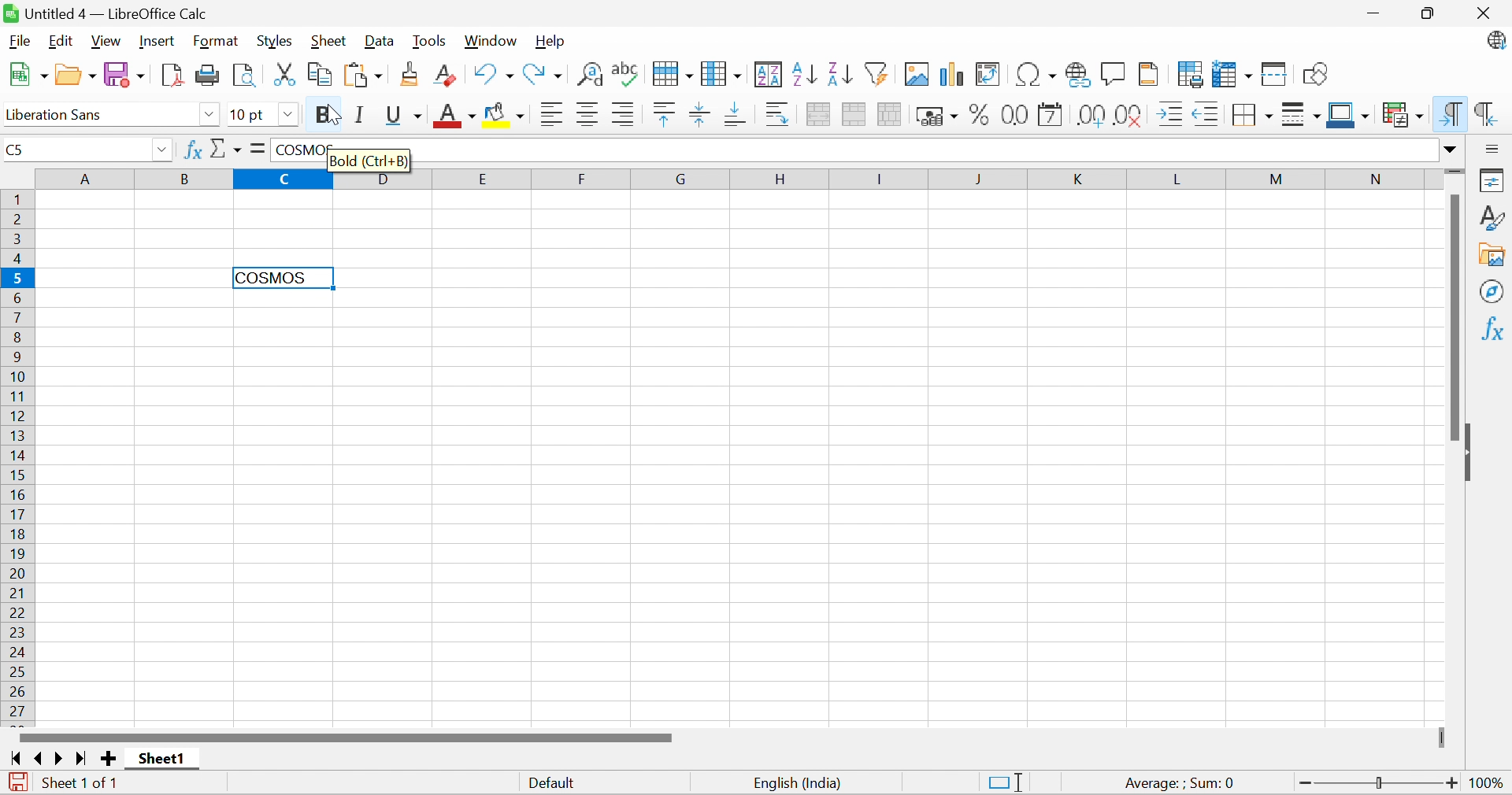  I want to click on Untitled 4 - LibreOffice Calc, so click(115, 13).